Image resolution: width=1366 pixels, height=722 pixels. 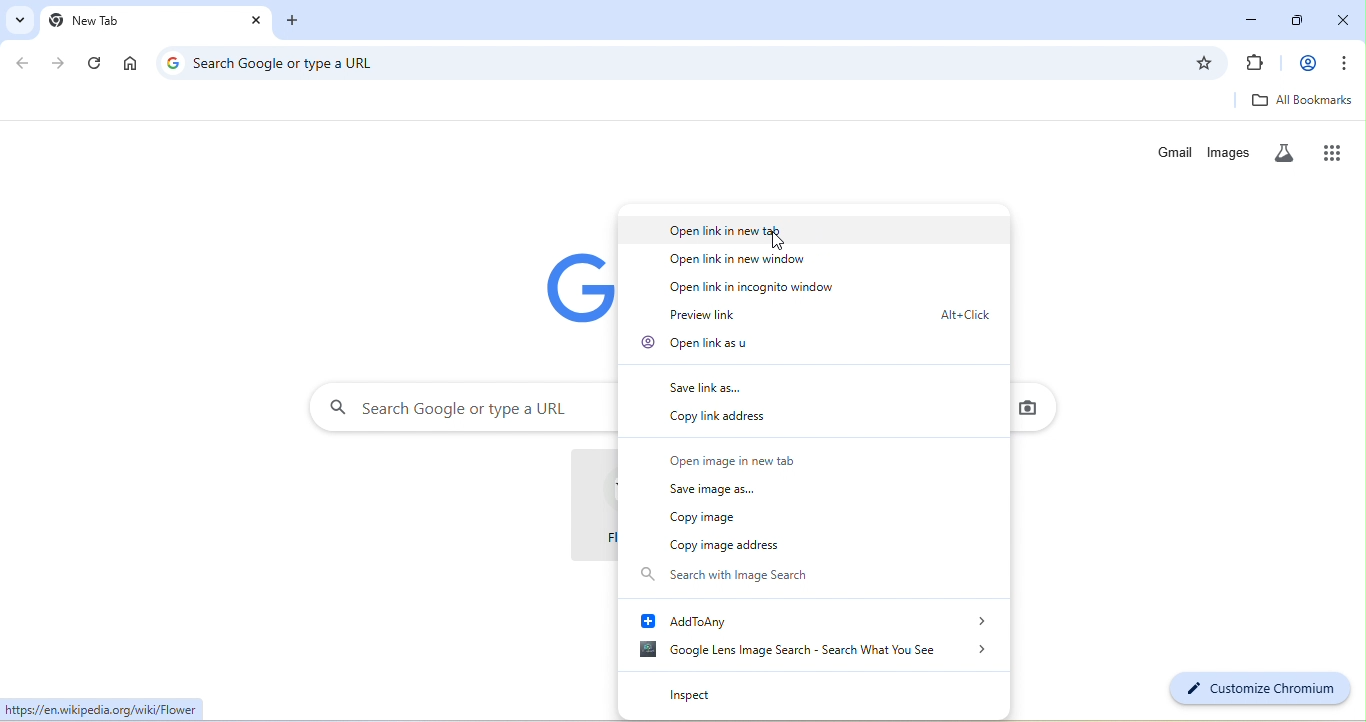 I want to click on google lens image search, so click(x=805, y=652).